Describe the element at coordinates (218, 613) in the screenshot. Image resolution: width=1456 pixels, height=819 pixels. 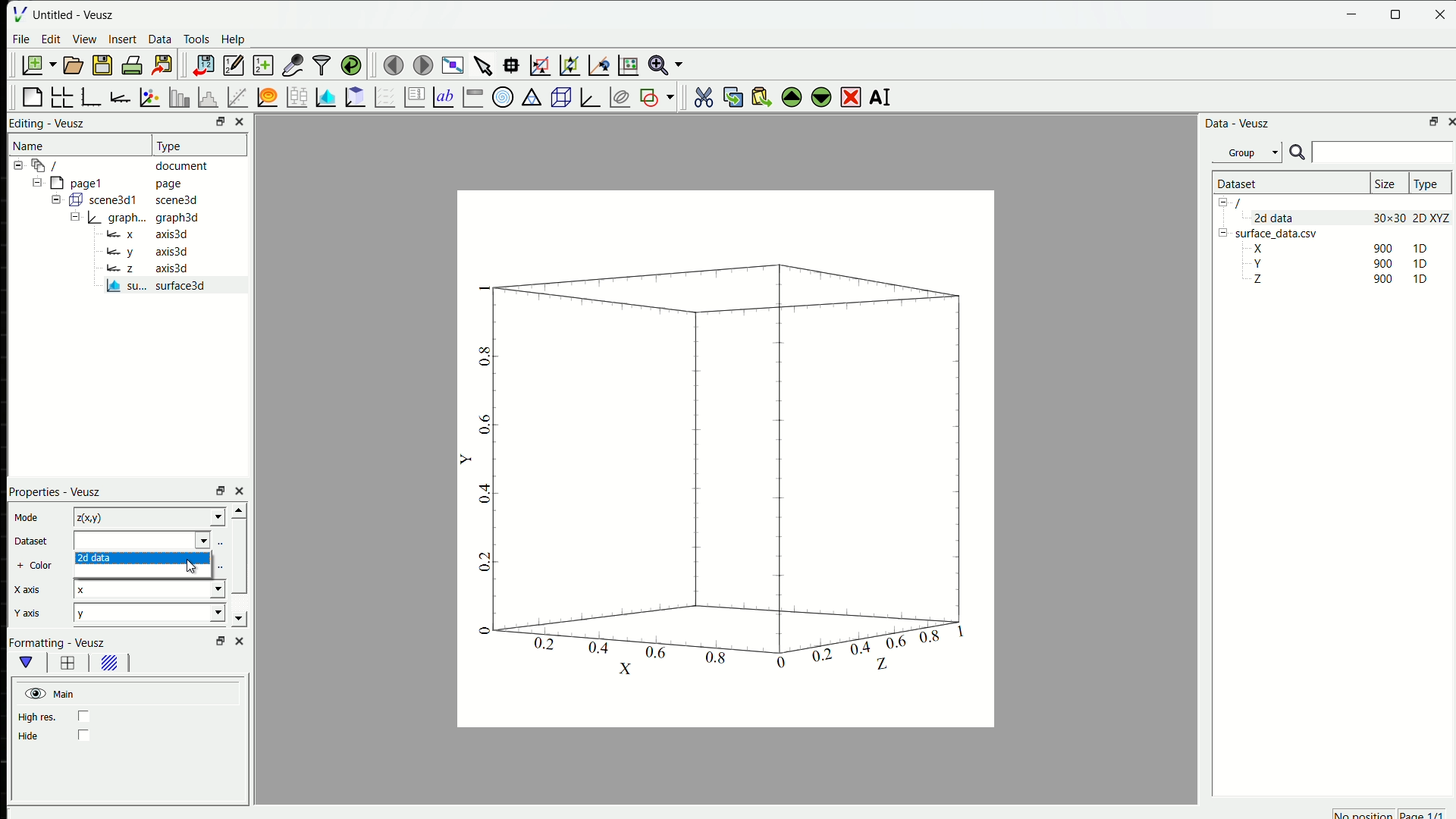
I see `Drop-down ` at that location.